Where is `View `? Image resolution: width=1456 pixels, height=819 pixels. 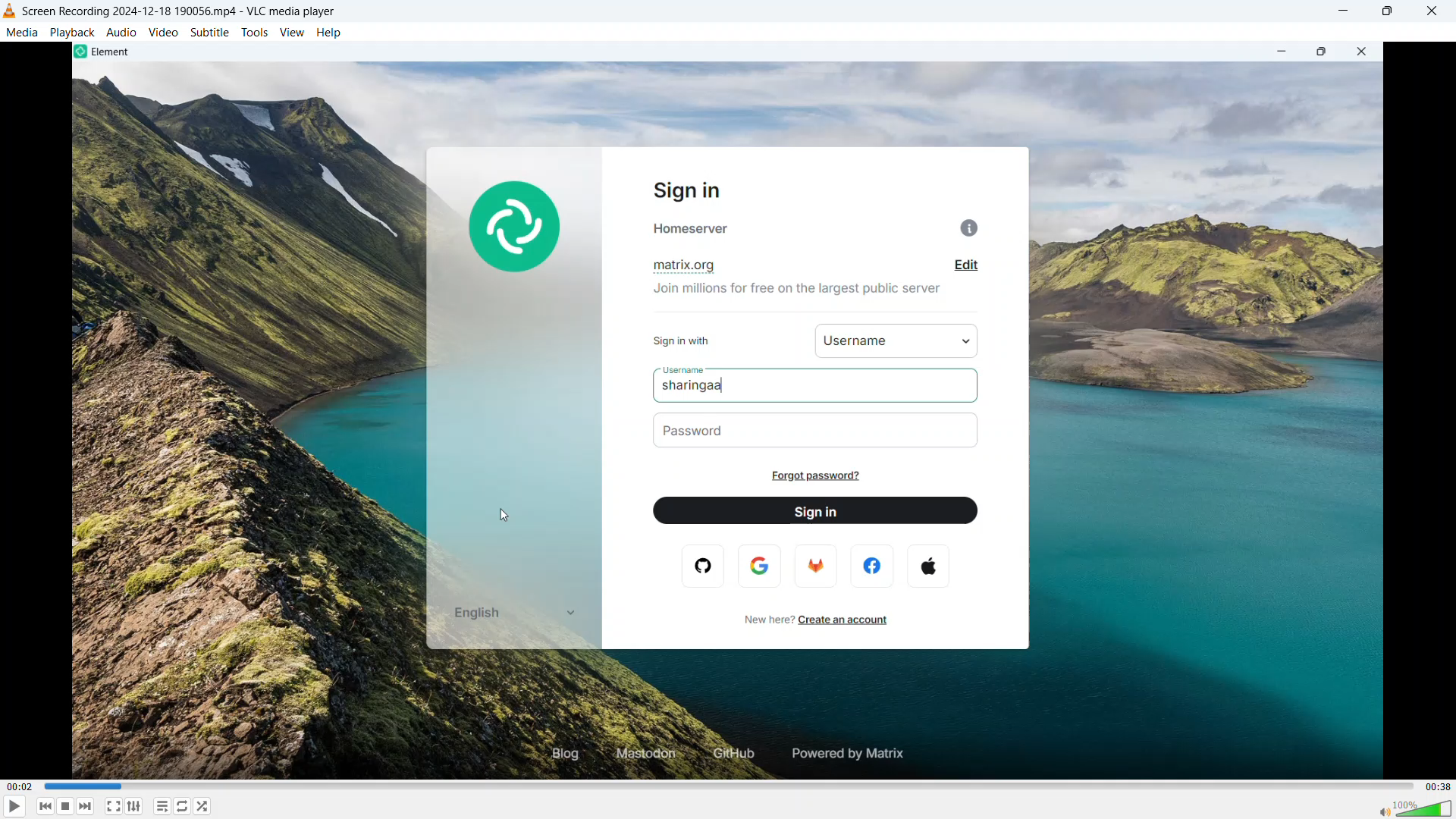 View  is located at coordinates (293, 32).